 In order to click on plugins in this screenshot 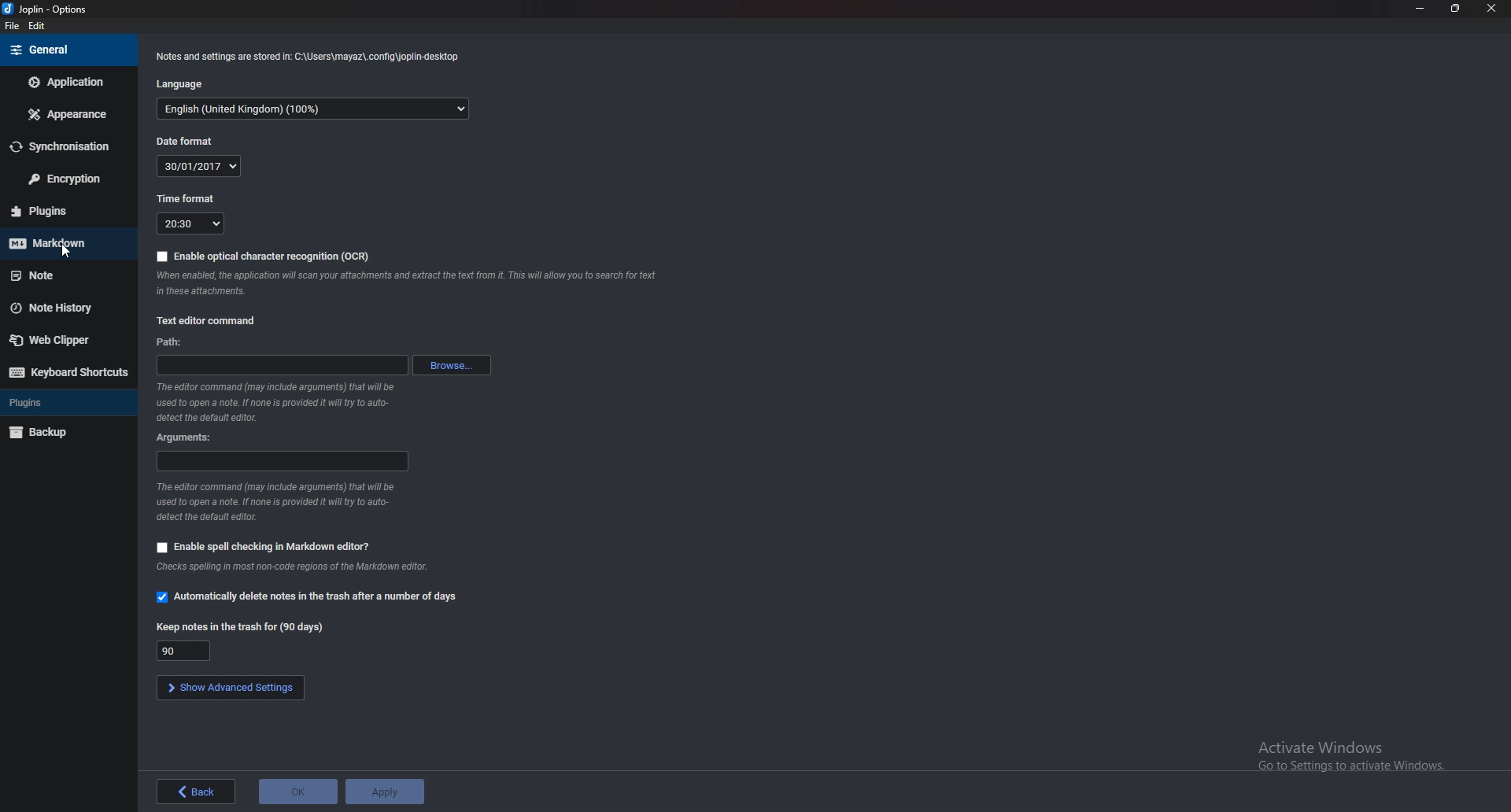, I will do `click(68, 403)`.